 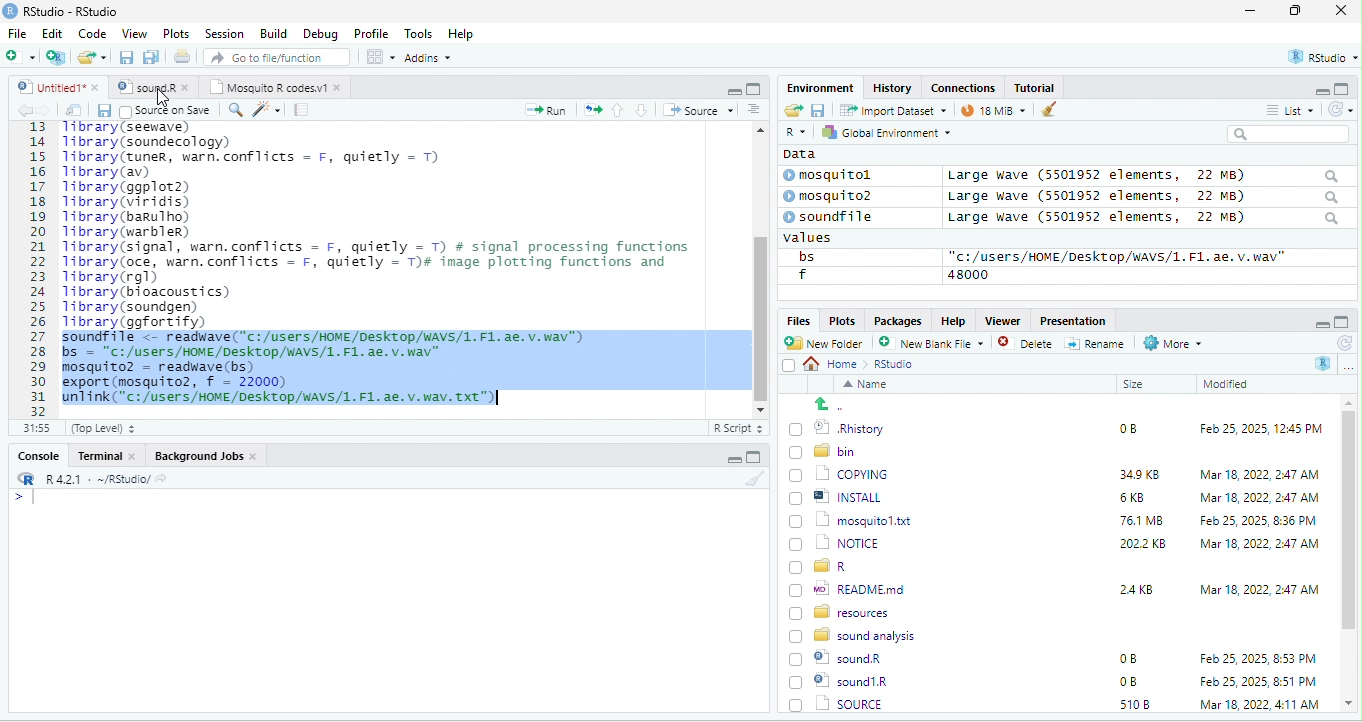 What do you see at coordinates (167, 112) in the screenshot?
I see `source on Save` at bounding box center [167, 112].